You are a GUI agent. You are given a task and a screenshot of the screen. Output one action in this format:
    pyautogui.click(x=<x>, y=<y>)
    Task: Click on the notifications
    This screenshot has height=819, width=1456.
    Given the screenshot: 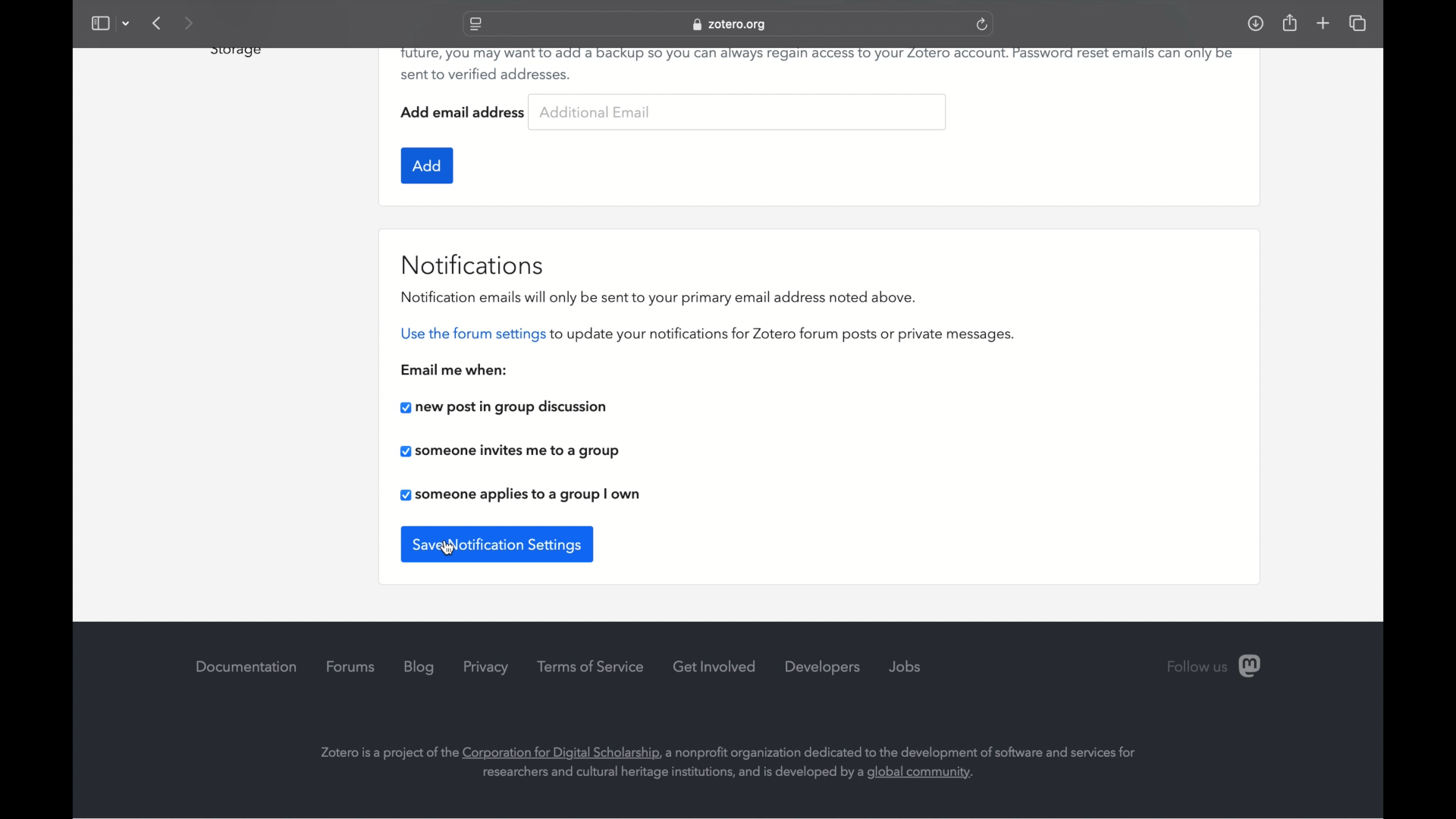 What is the action you would take?
    pyautogui.click(x=475, y=263)
    